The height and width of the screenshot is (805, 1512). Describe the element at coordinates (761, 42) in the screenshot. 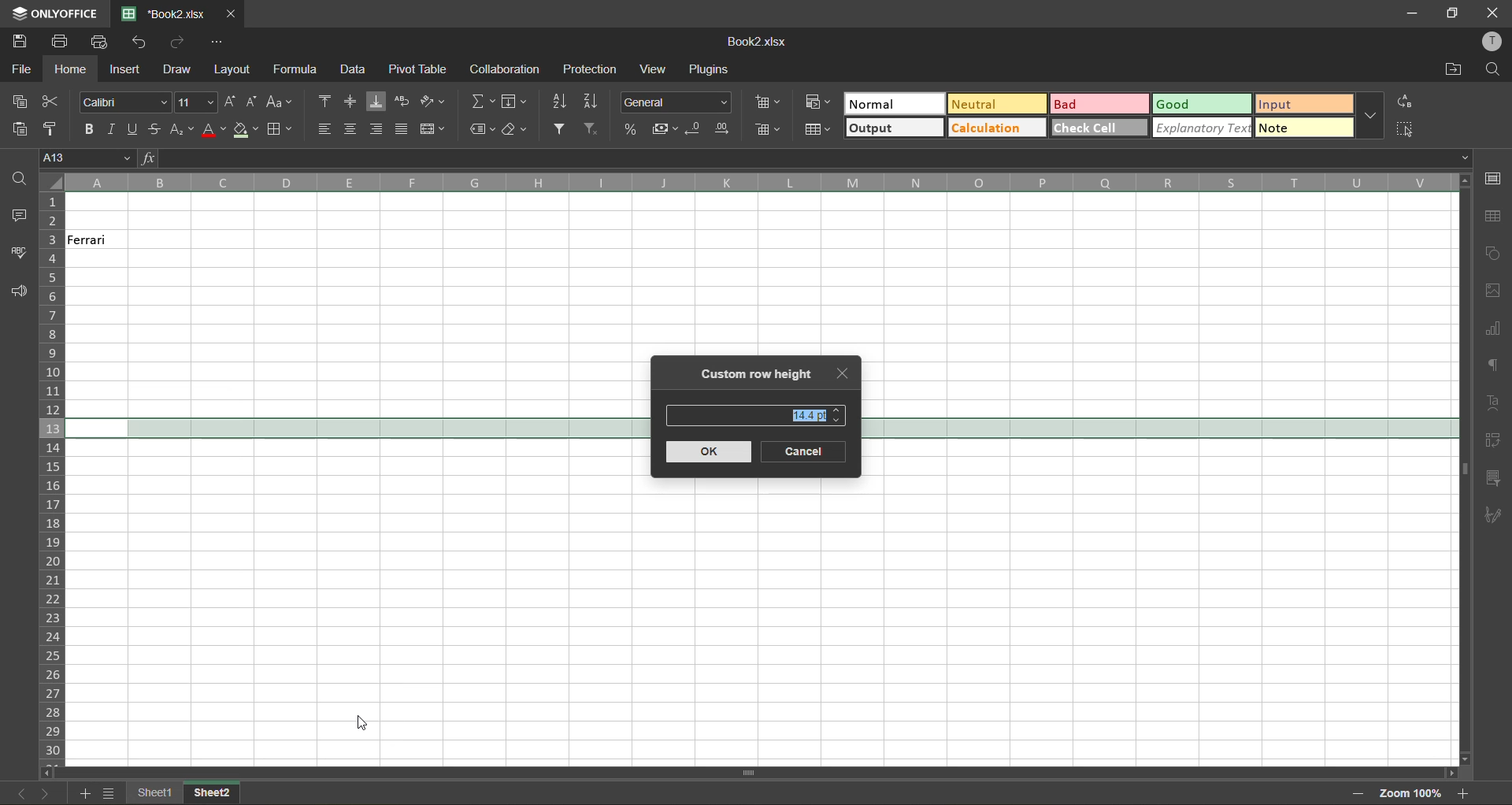

I see `filename` at that location.